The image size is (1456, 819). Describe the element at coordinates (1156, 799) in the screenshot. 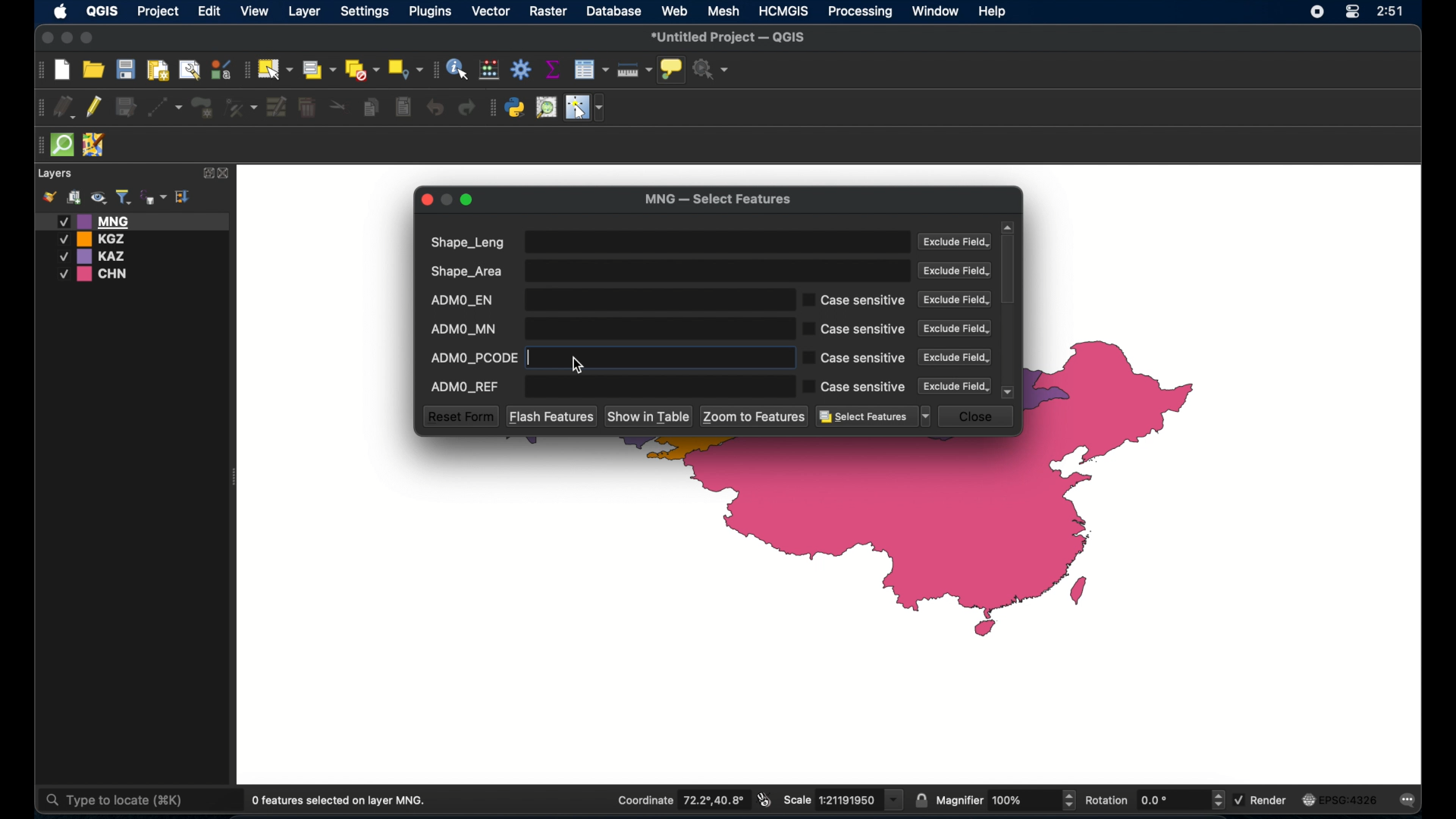

I see `rotation 0.0` at that location.